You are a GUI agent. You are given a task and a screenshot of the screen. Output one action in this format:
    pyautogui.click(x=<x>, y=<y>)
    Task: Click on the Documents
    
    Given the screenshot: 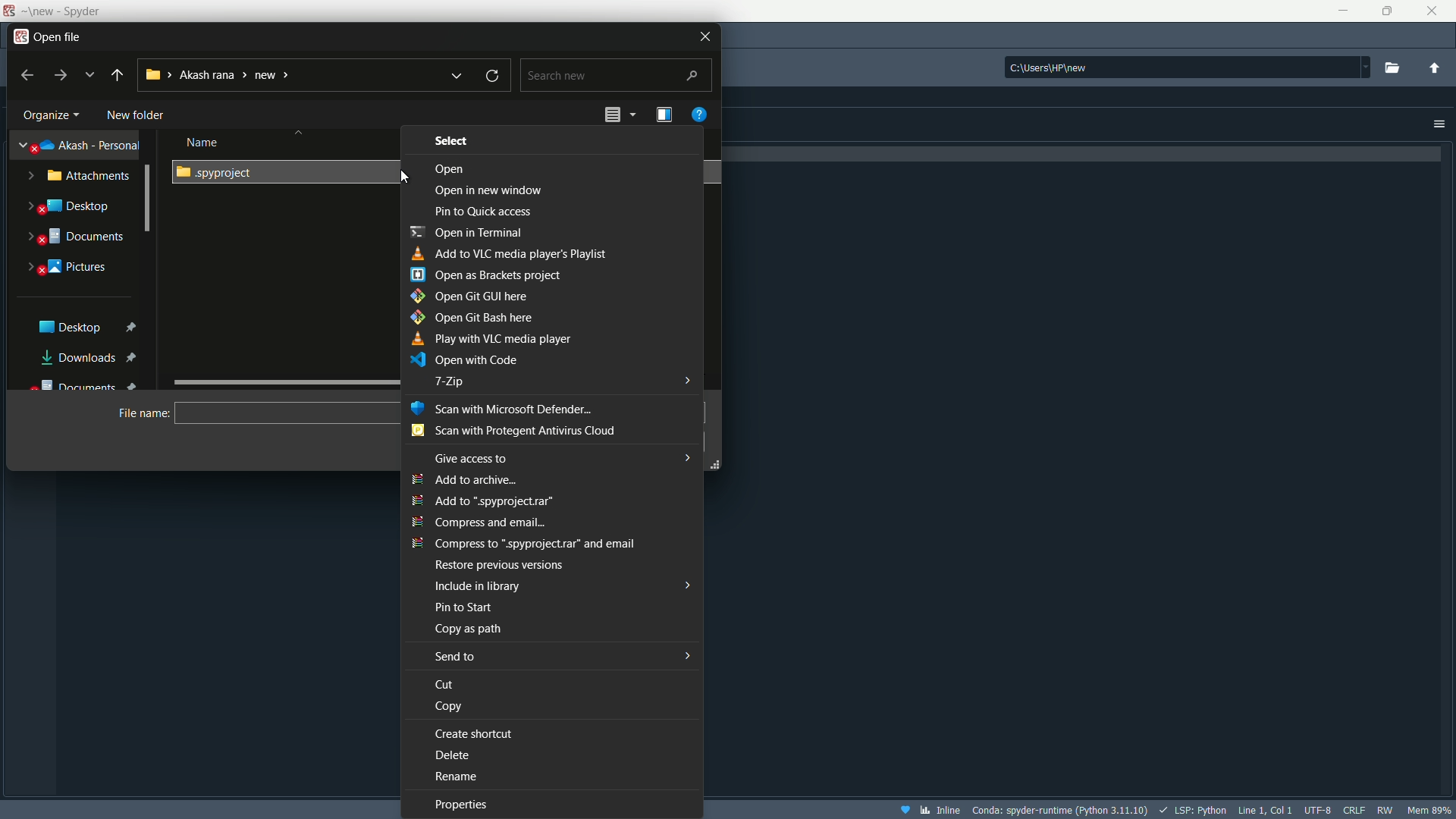 What is the action you would take?
    pyautogui.click(x=94, y=384)
    